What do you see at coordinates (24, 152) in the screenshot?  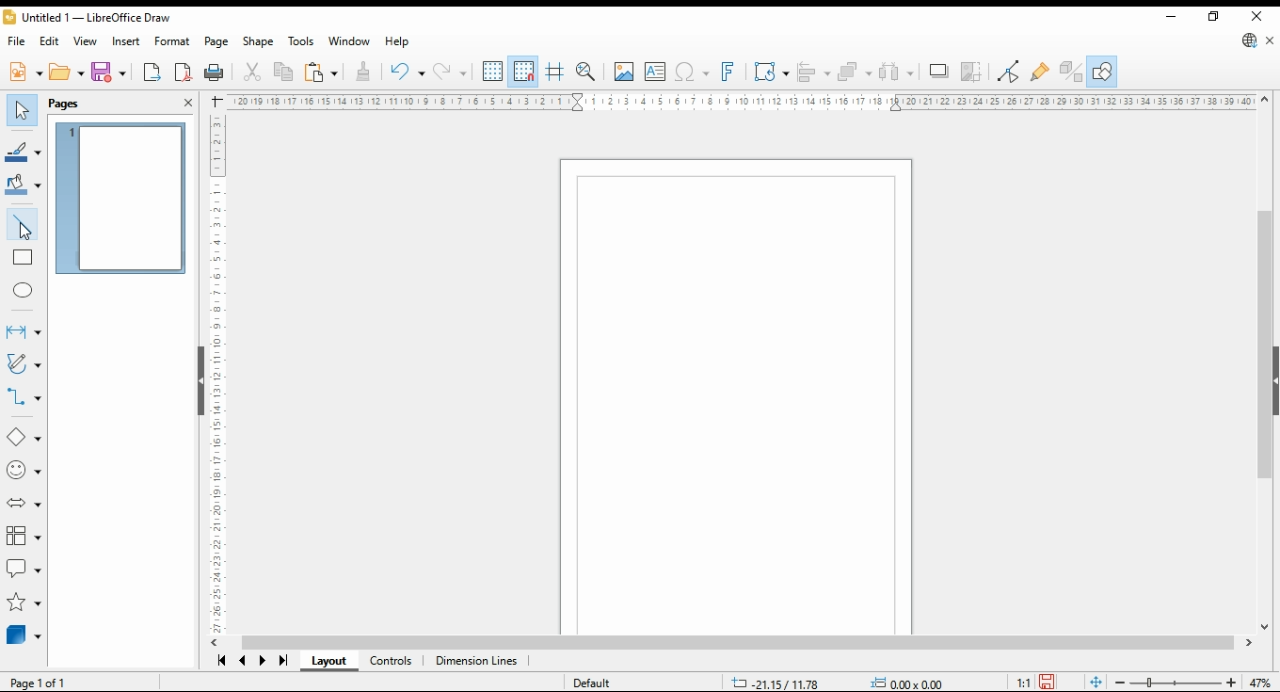 I see `line color` at bounding box center [24, 152].